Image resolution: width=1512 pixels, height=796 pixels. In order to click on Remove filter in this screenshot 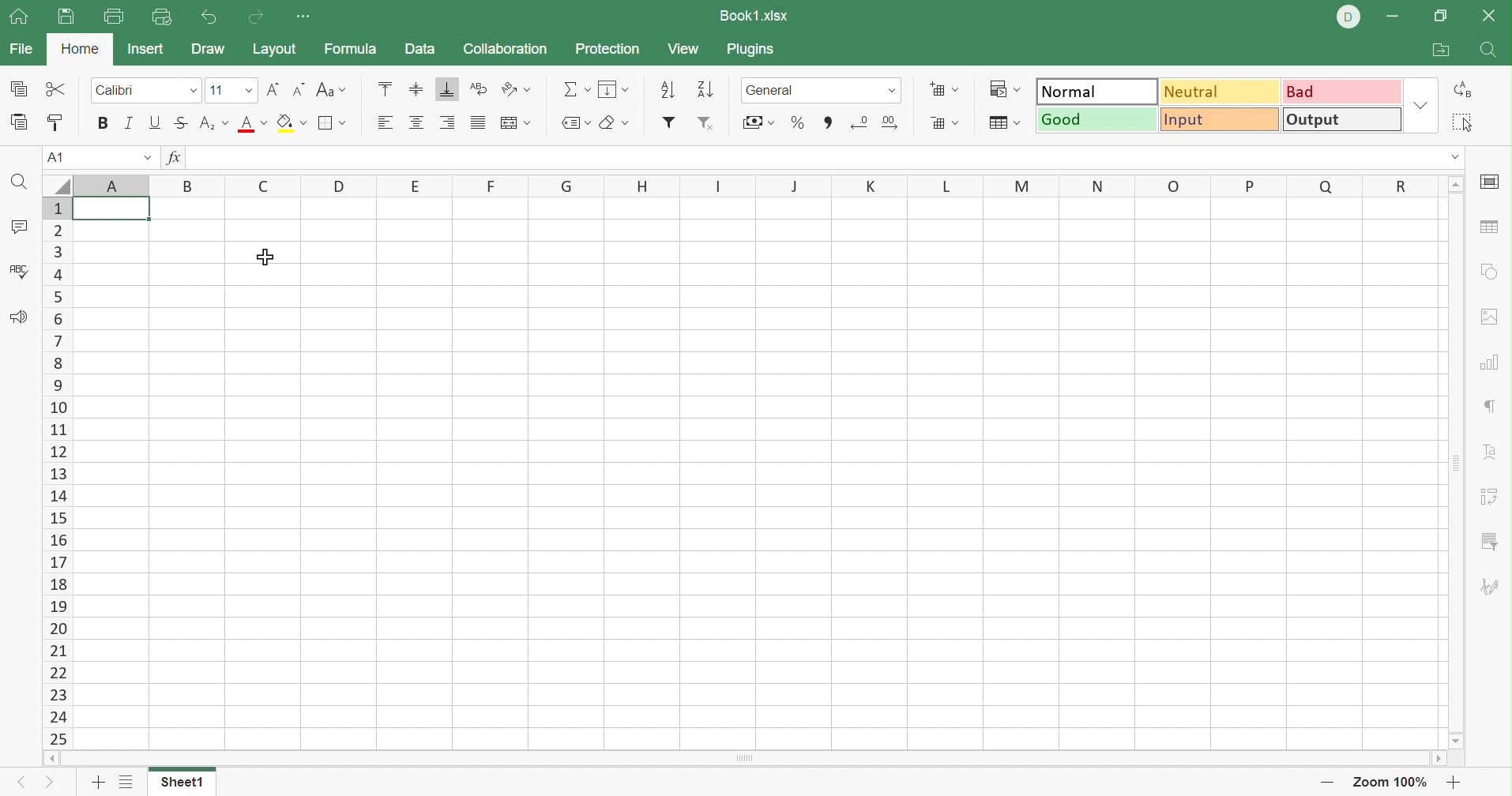, I will do `click(706, 125)`.